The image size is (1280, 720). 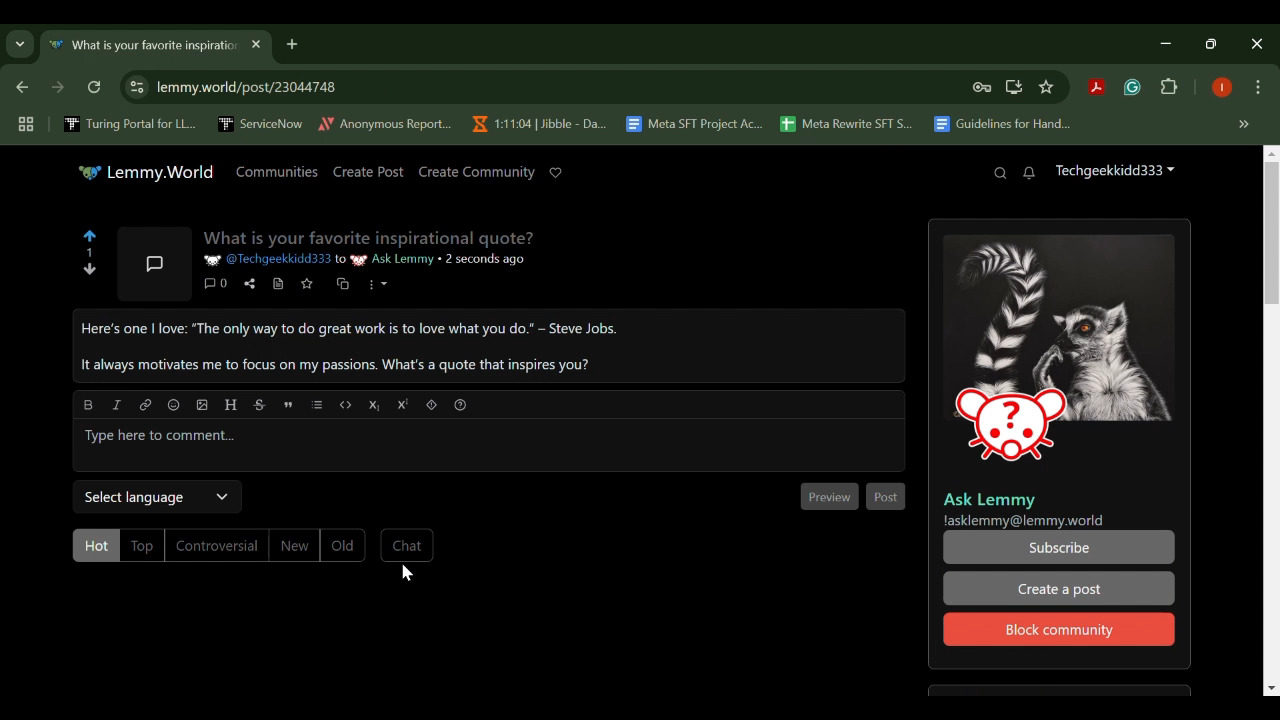 What do you see at coordinates (556, 173) in the screenshot?
I see `Donate to Lemmy` at bounding box center [556, 173].